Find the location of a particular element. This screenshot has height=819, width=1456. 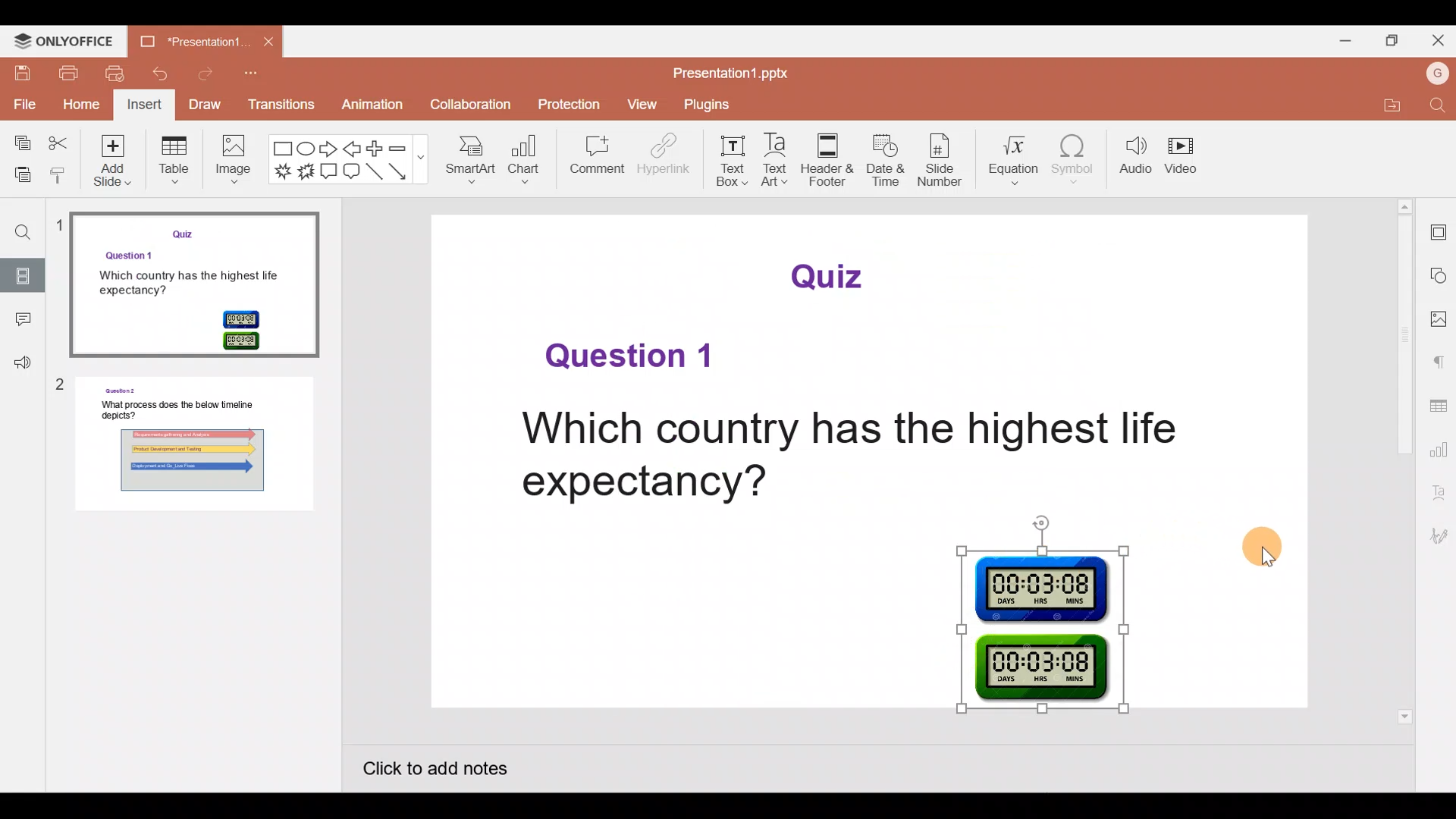

Paragraph settings is located at coordinates (1439, 362).